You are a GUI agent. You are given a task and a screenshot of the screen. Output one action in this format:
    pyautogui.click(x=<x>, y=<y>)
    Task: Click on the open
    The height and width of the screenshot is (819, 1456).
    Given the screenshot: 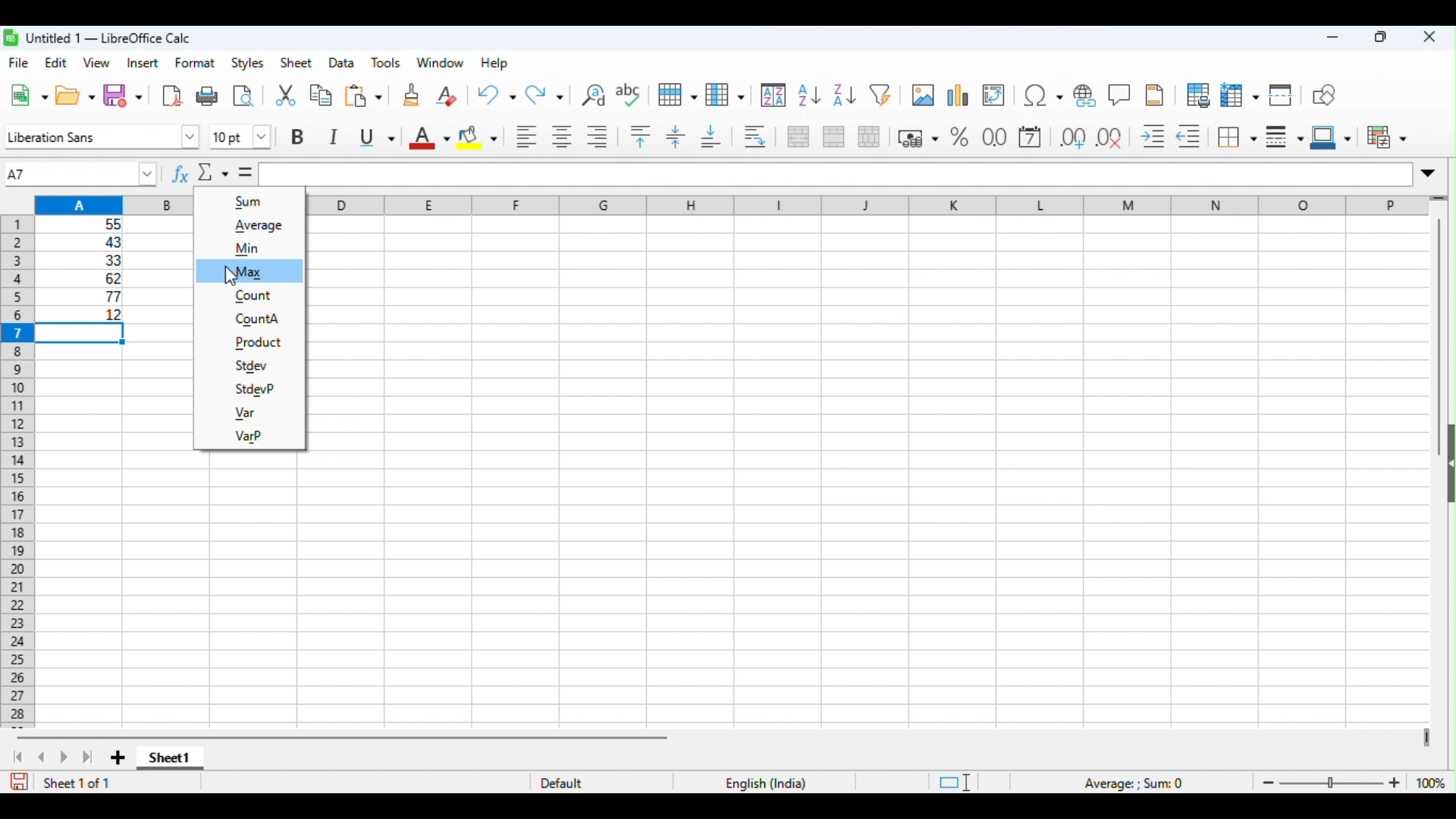 What is the action you would take?
    pyautogui.click(x=76, y=96)
    